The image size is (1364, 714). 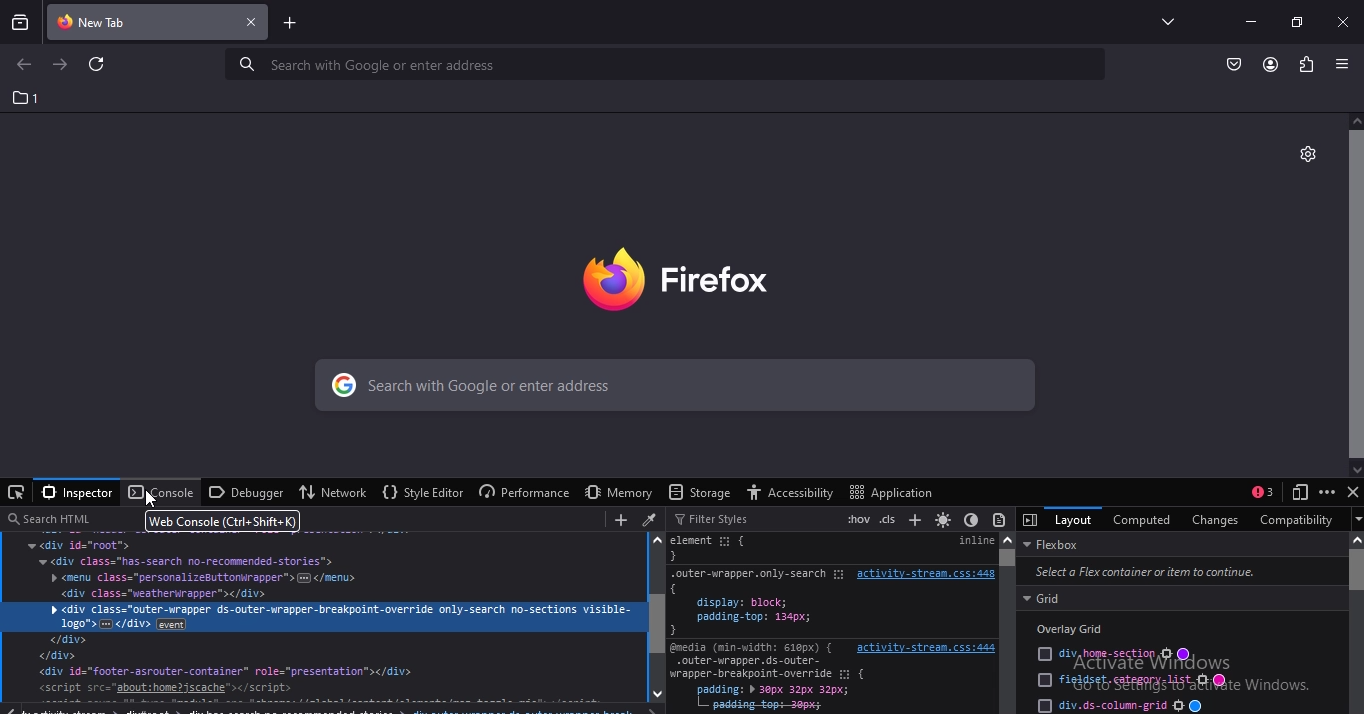 I want to click on changes, so click(x=1212, y=520).